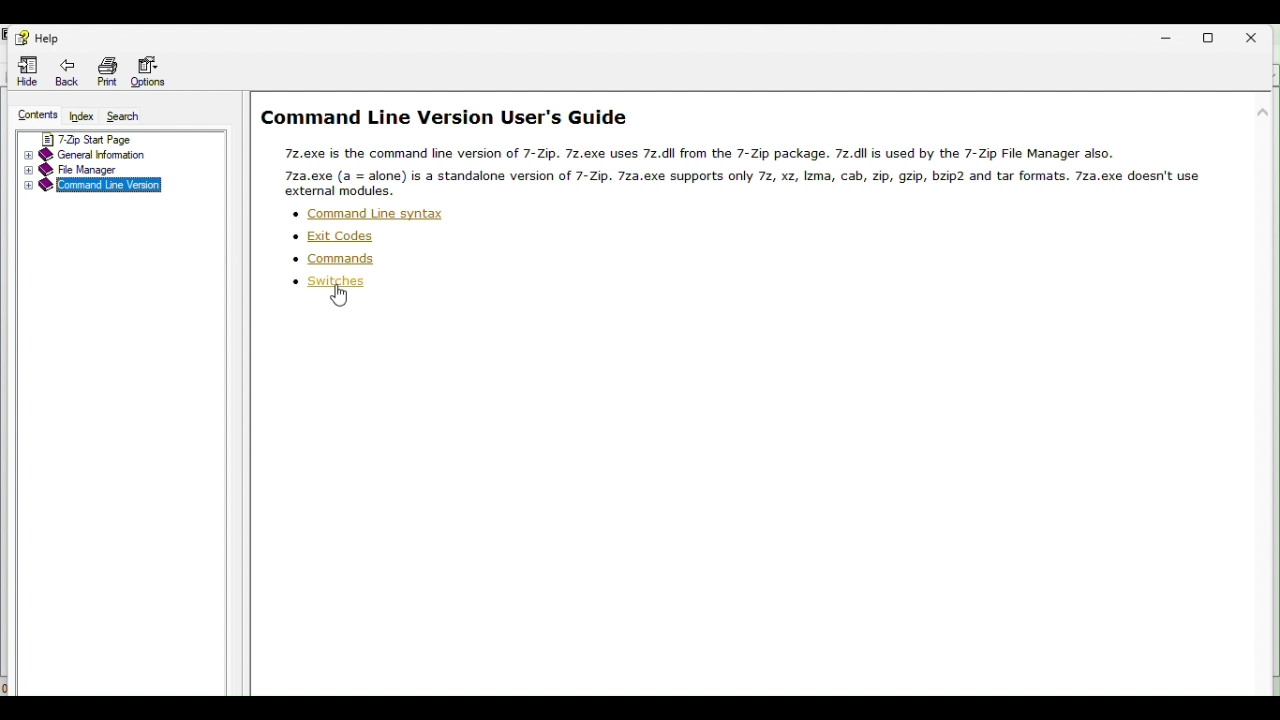  Describe the element at coordinates (25, 156) in the screenshot. I see `expand` at that location.